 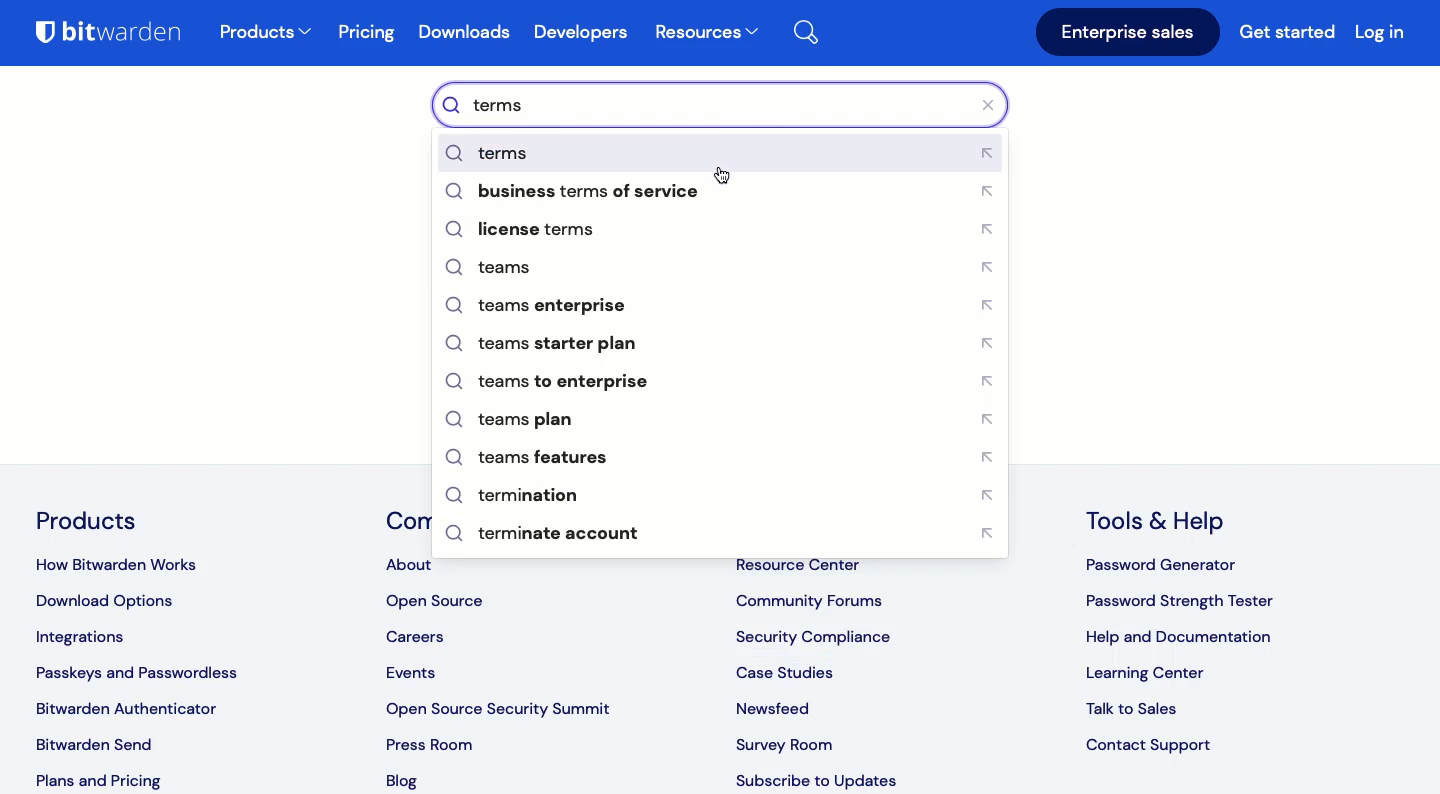 What do you see at coordinates (719, 194) in the screenshot?
I see `business terms of service ` at bounding box center [719, 194].